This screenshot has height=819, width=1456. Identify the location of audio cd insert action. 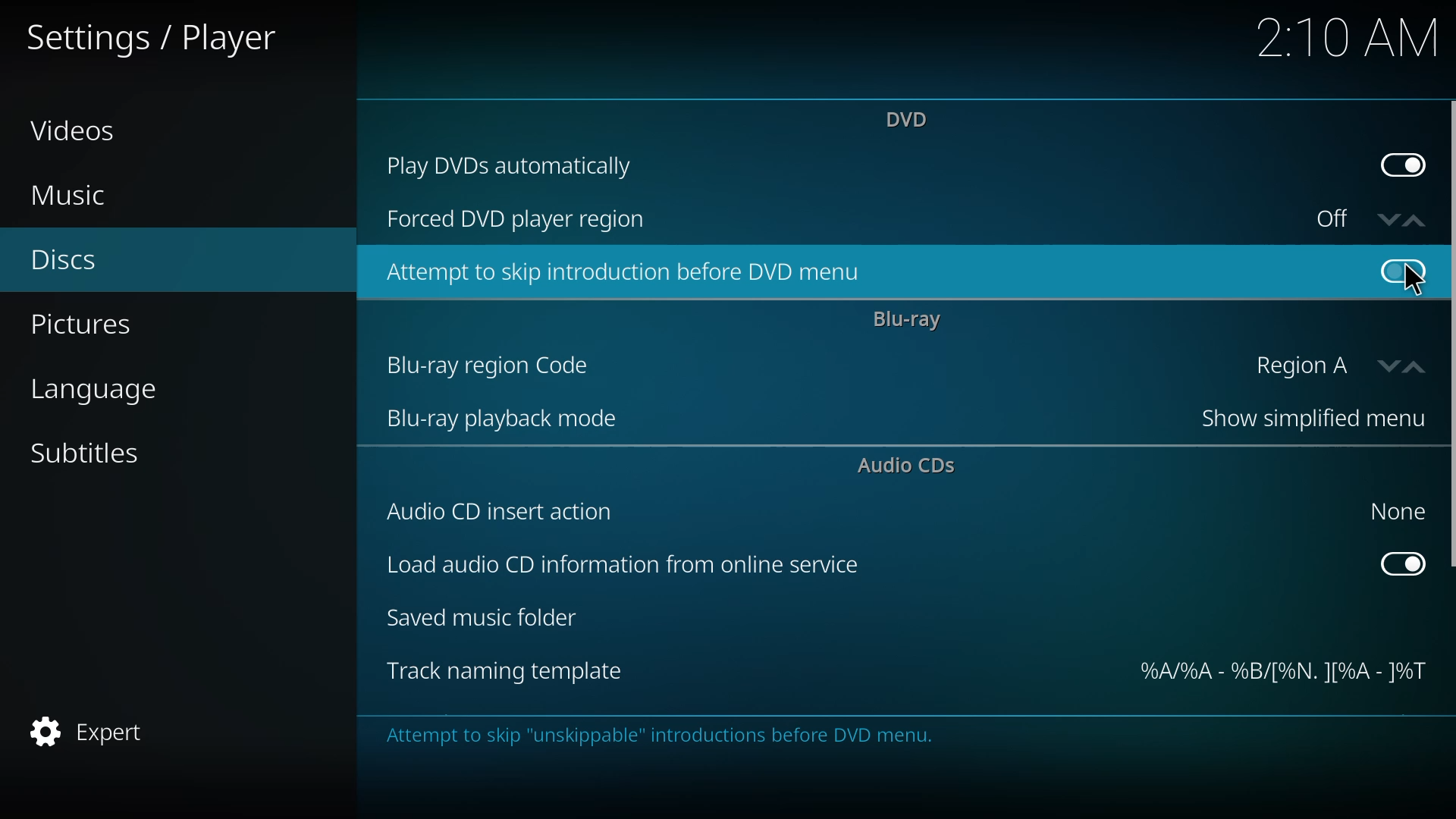
(500, 510).